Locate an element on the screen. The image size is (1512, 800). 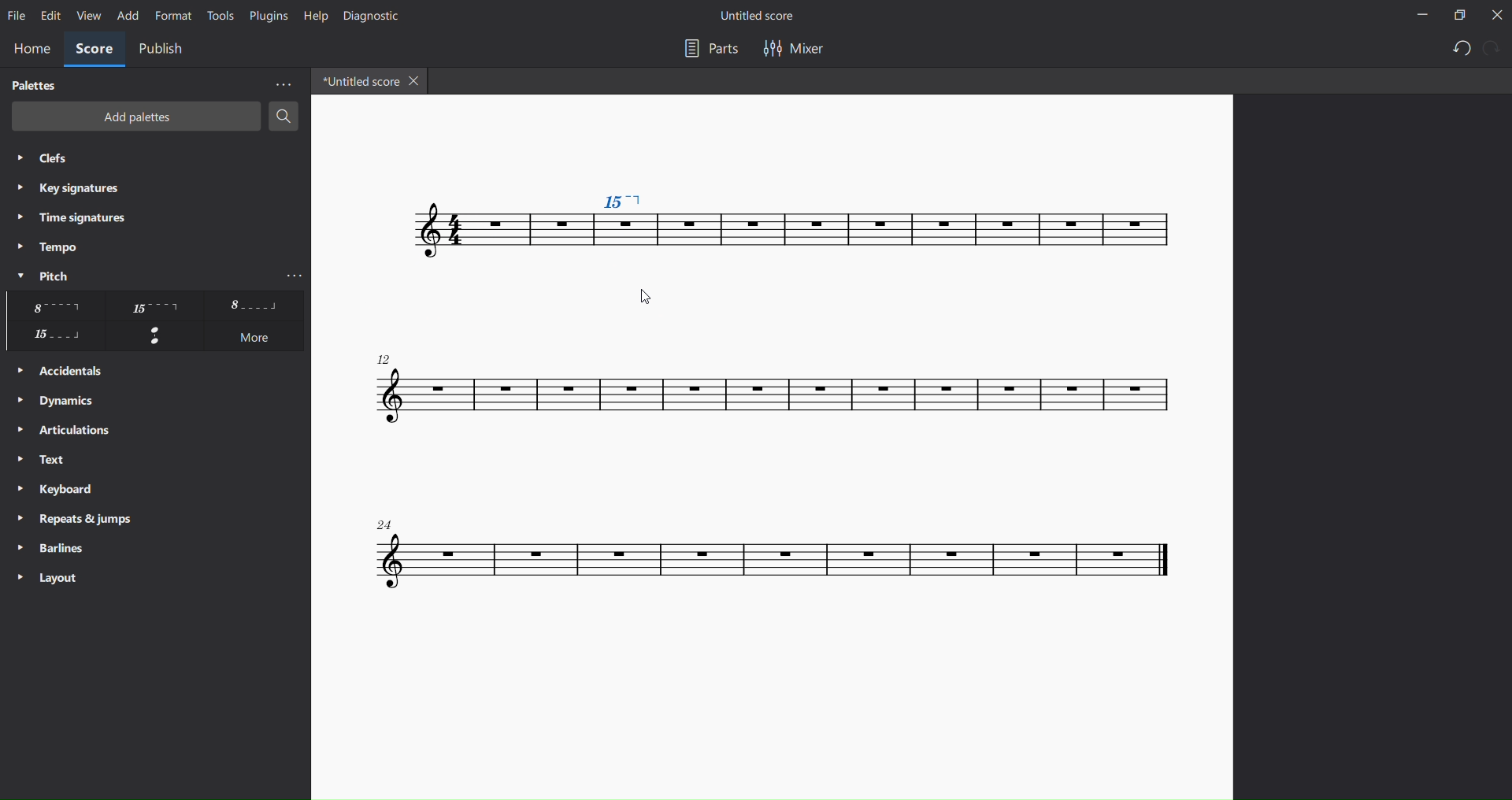
close tab is located at coordinates (417, 80).